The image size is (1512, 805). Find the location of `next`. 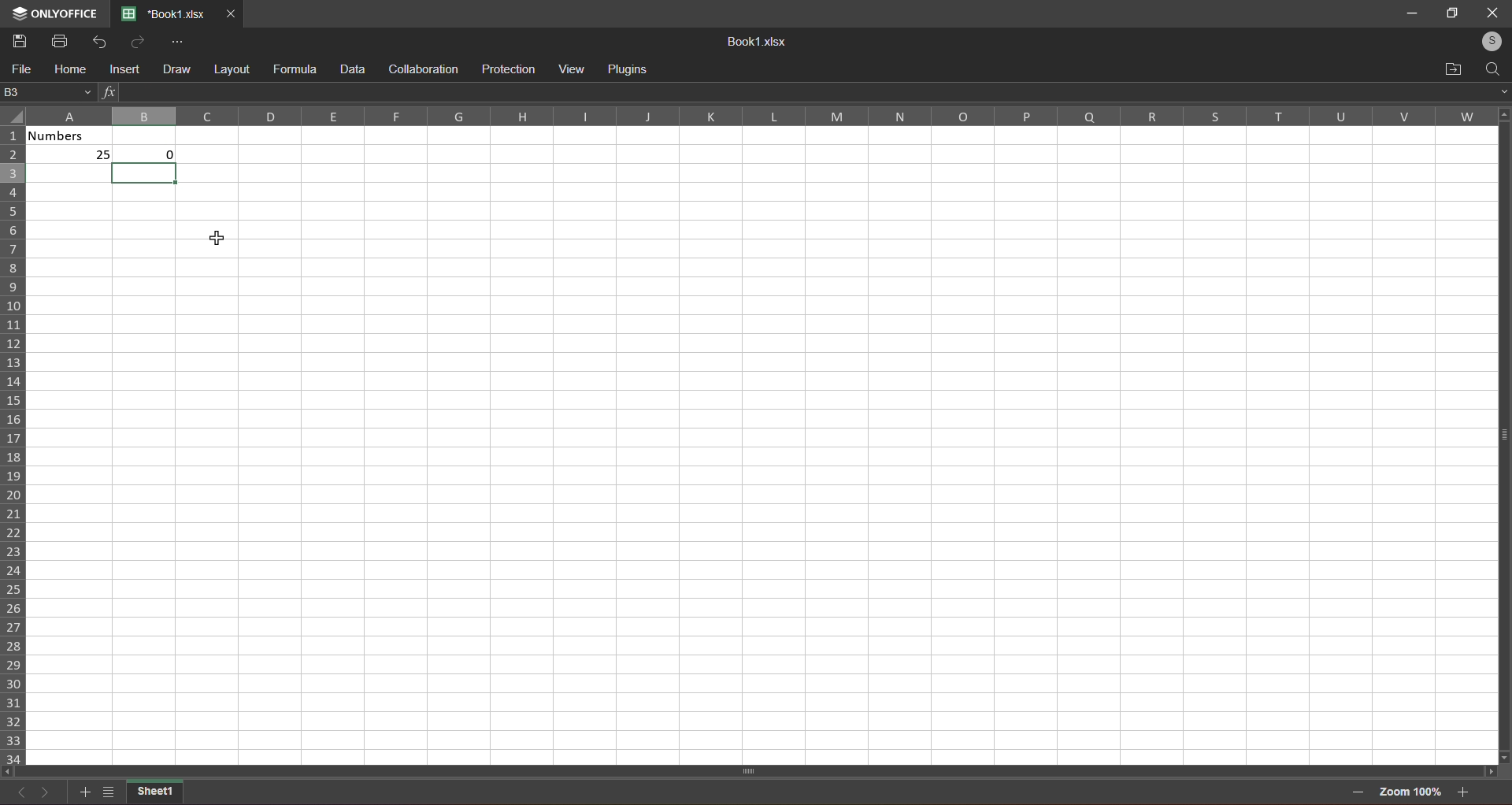

next is located at coordinates (45, 793).